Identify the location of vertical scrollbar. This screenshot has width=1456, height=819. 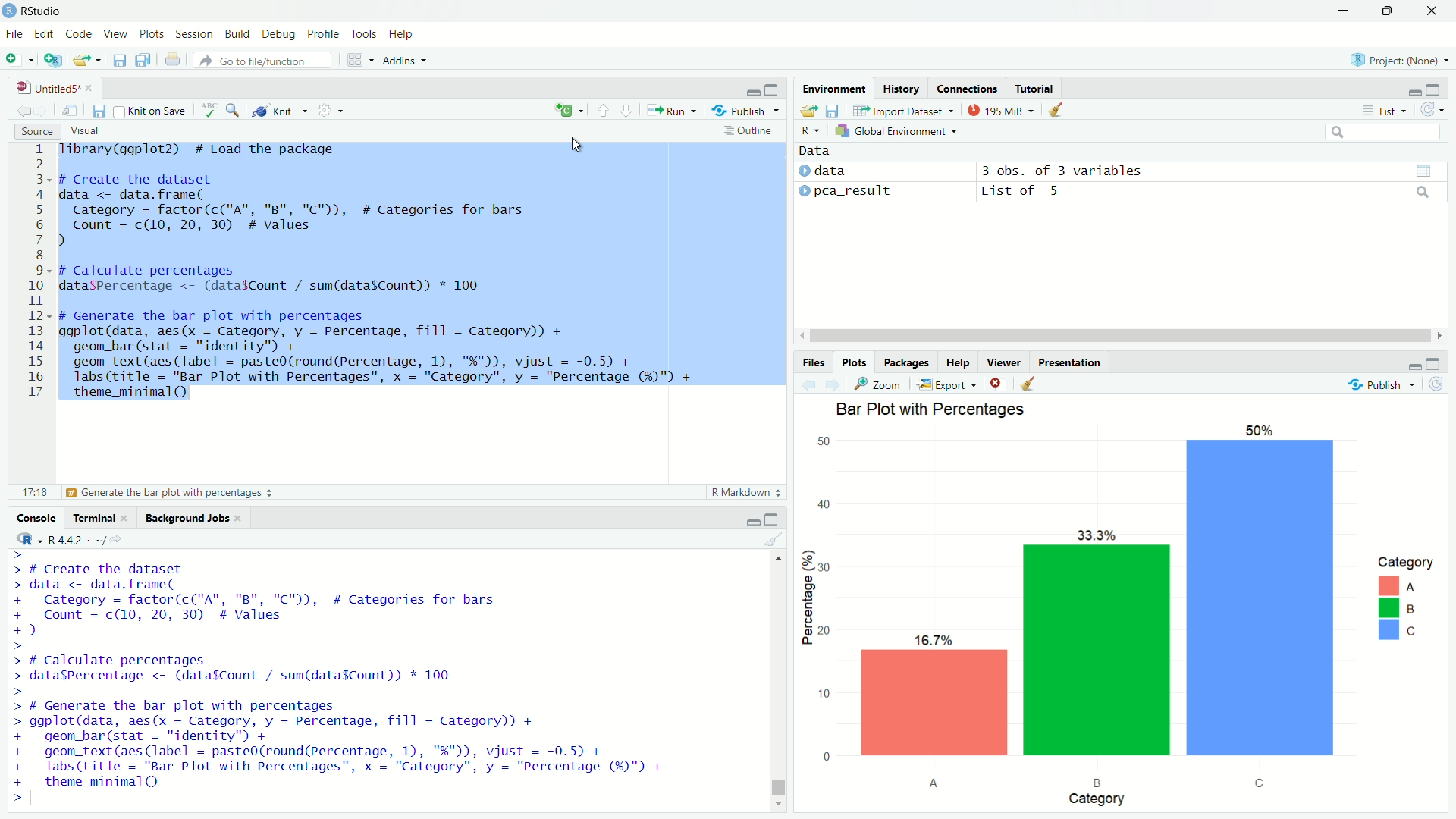
(776, 762).